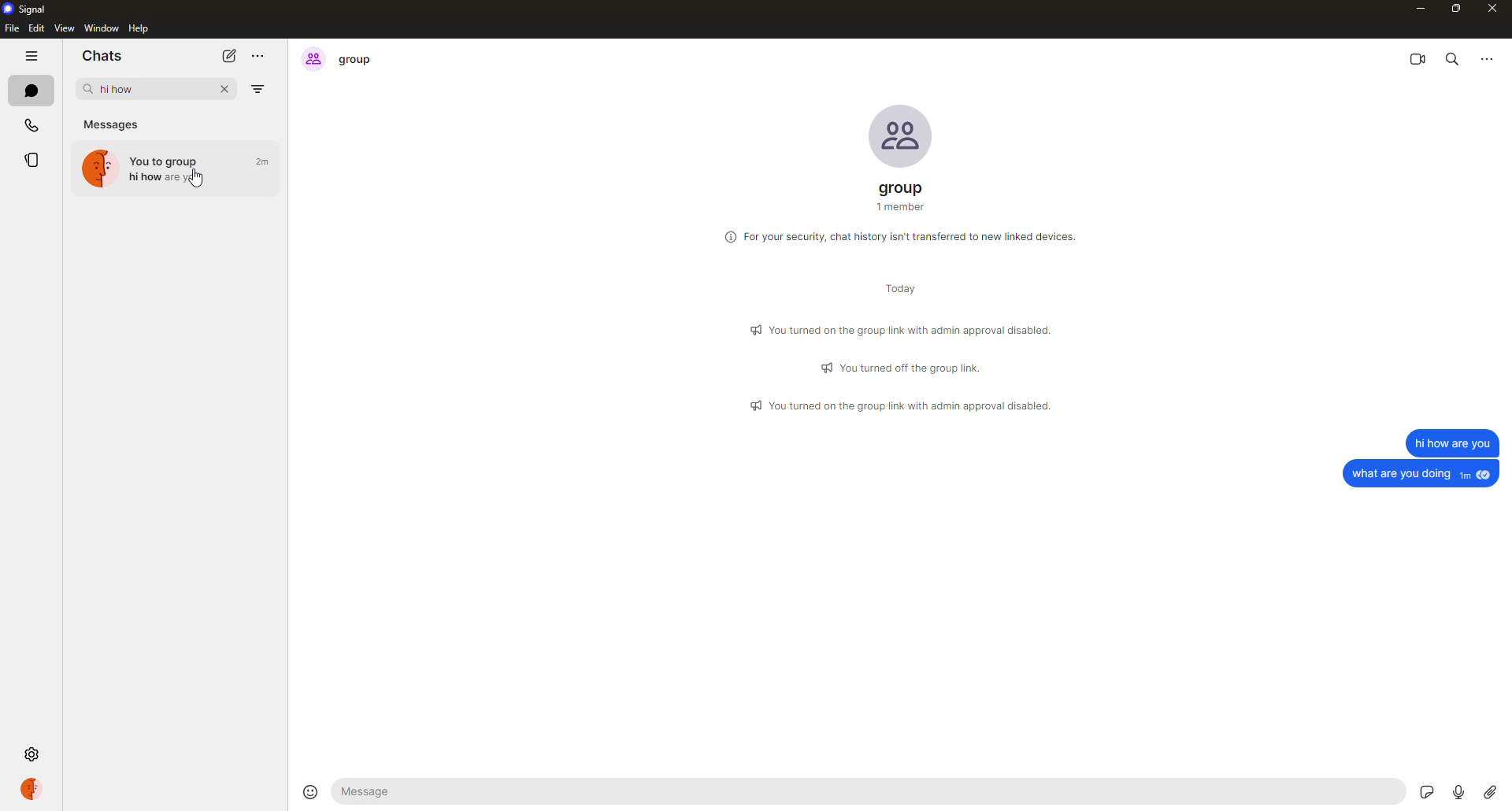  Describe the element at coordinates (375, 792) in the screenshot. I see `message` at that location.